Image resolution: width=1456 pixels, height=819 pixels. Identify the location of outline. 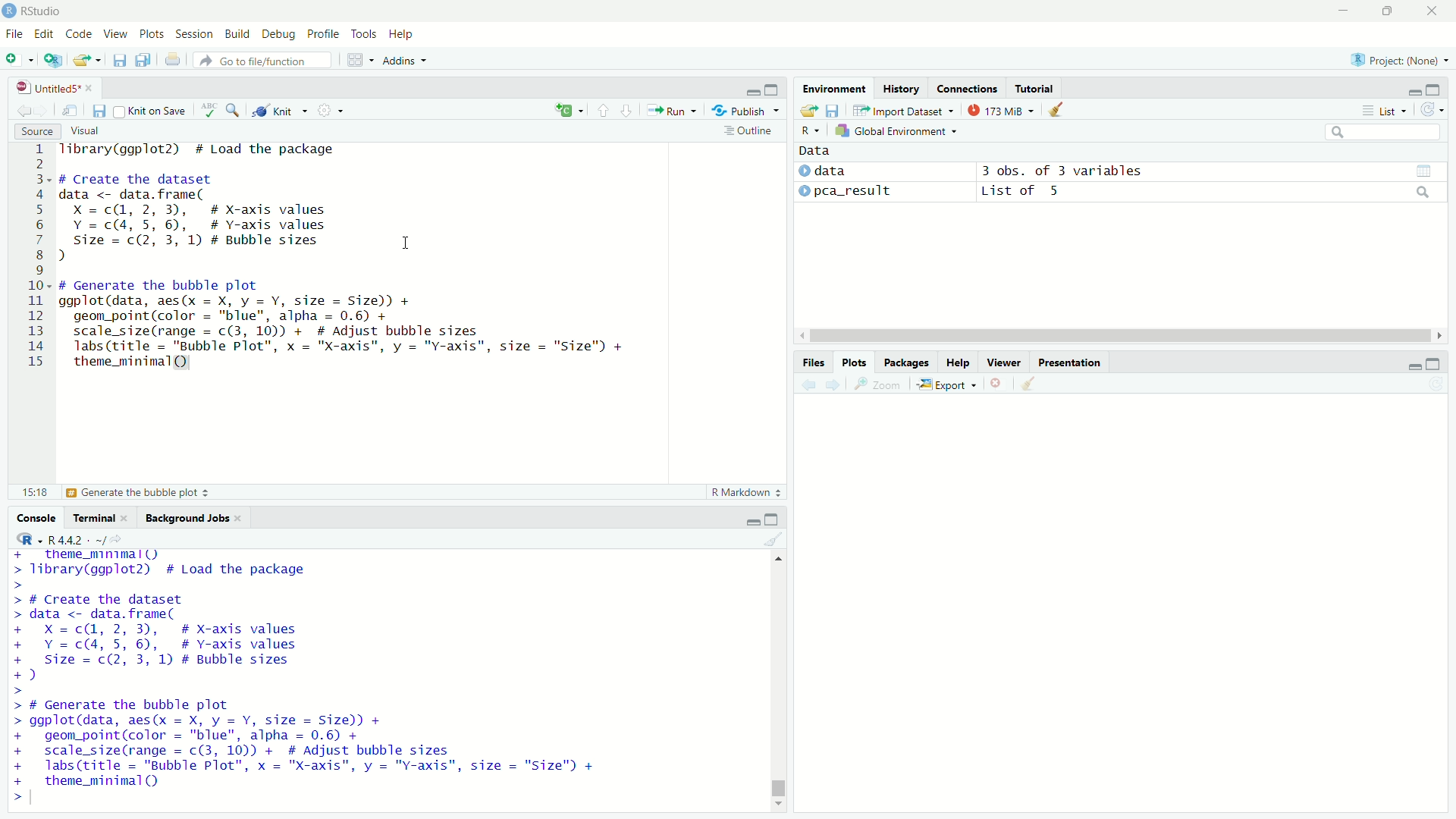
(749, 130).